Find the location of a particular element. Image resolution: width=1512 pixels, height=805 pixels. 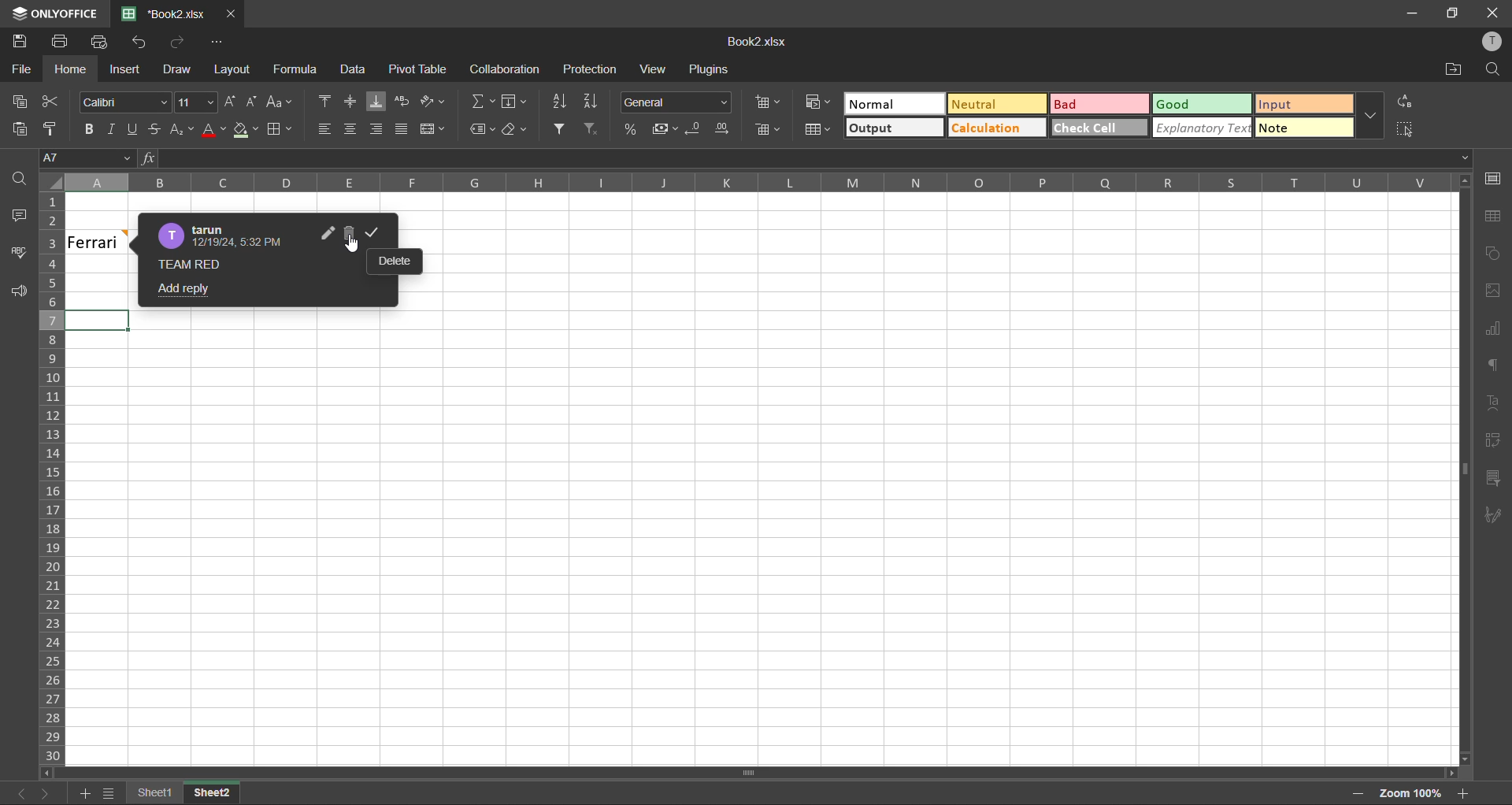

decrease decimal is located at coordinates (695, 129).